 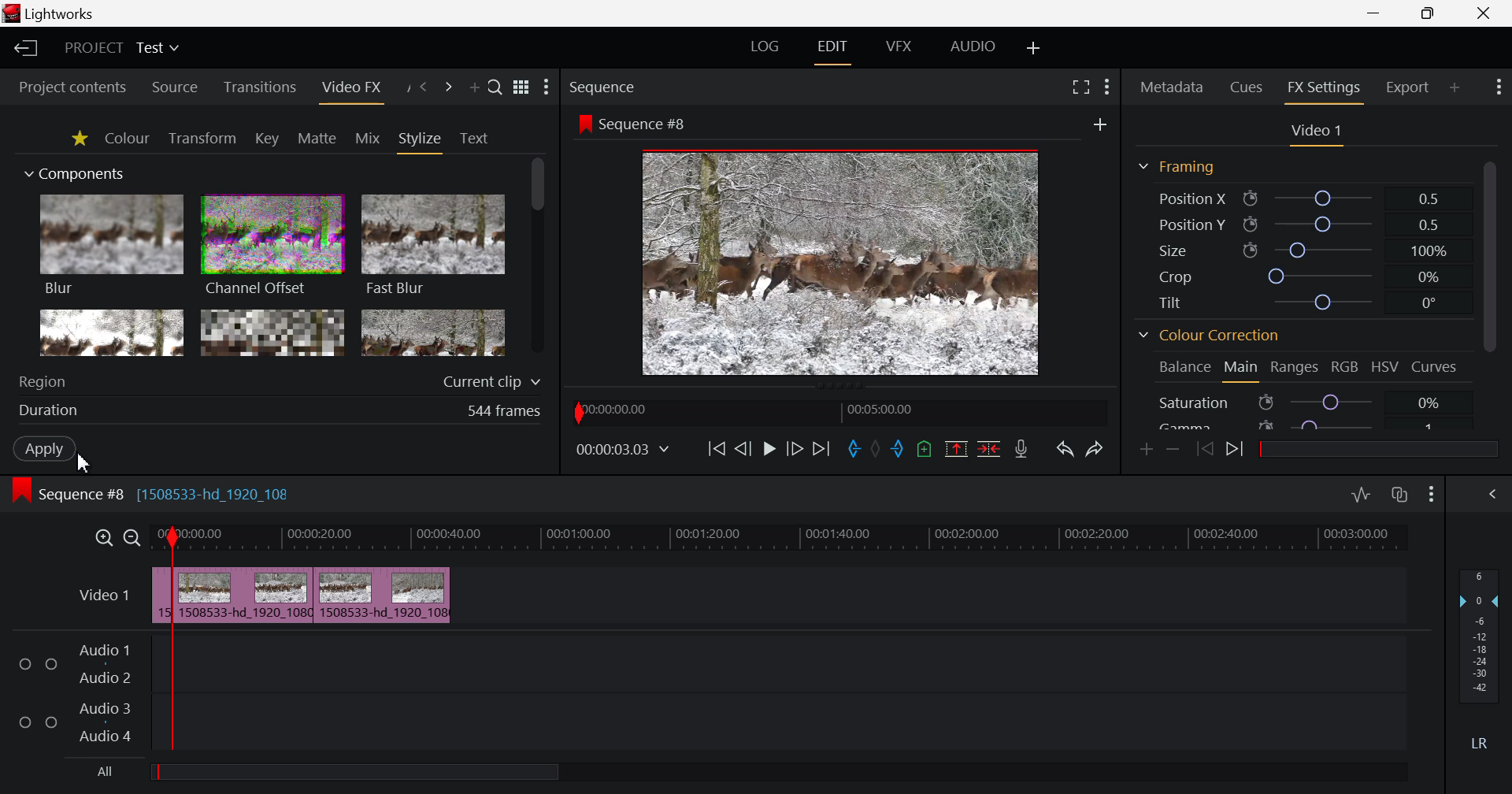 What do you see at coordinates (623, 449) in the screenshot?
I see `Frame Time` at bounding box center [623, 449].